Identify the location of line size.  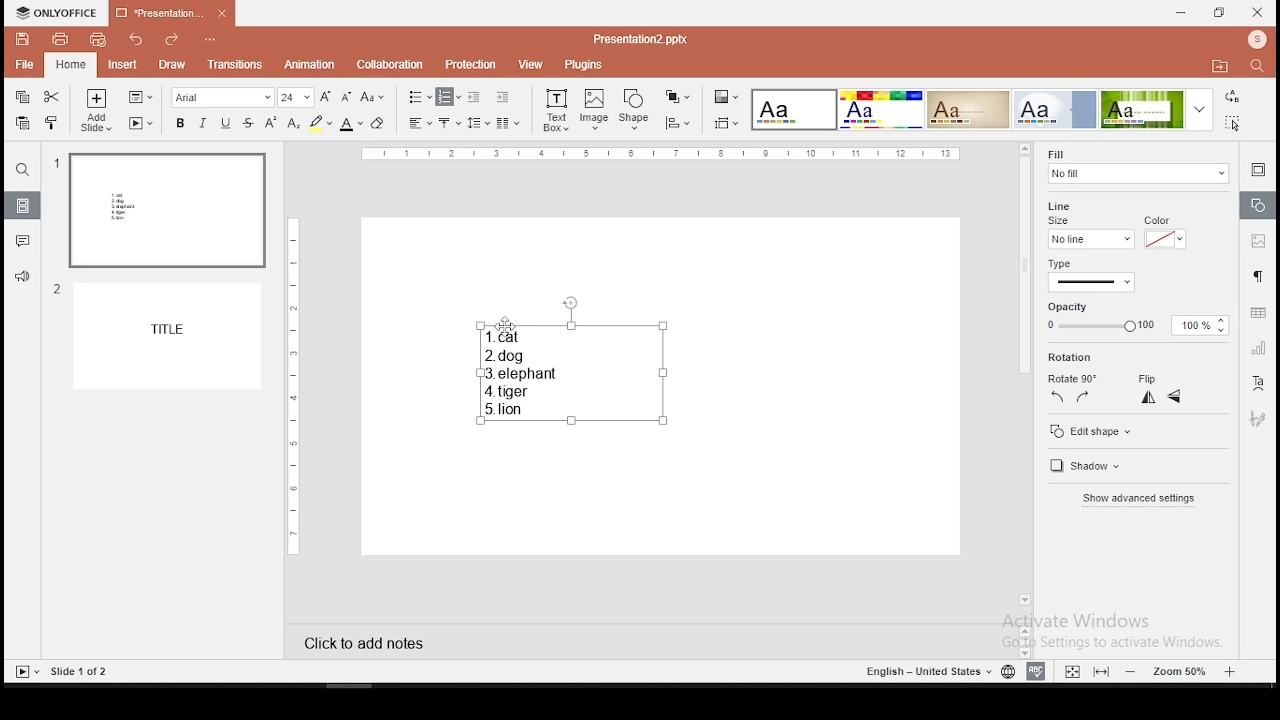
(1064, 212).